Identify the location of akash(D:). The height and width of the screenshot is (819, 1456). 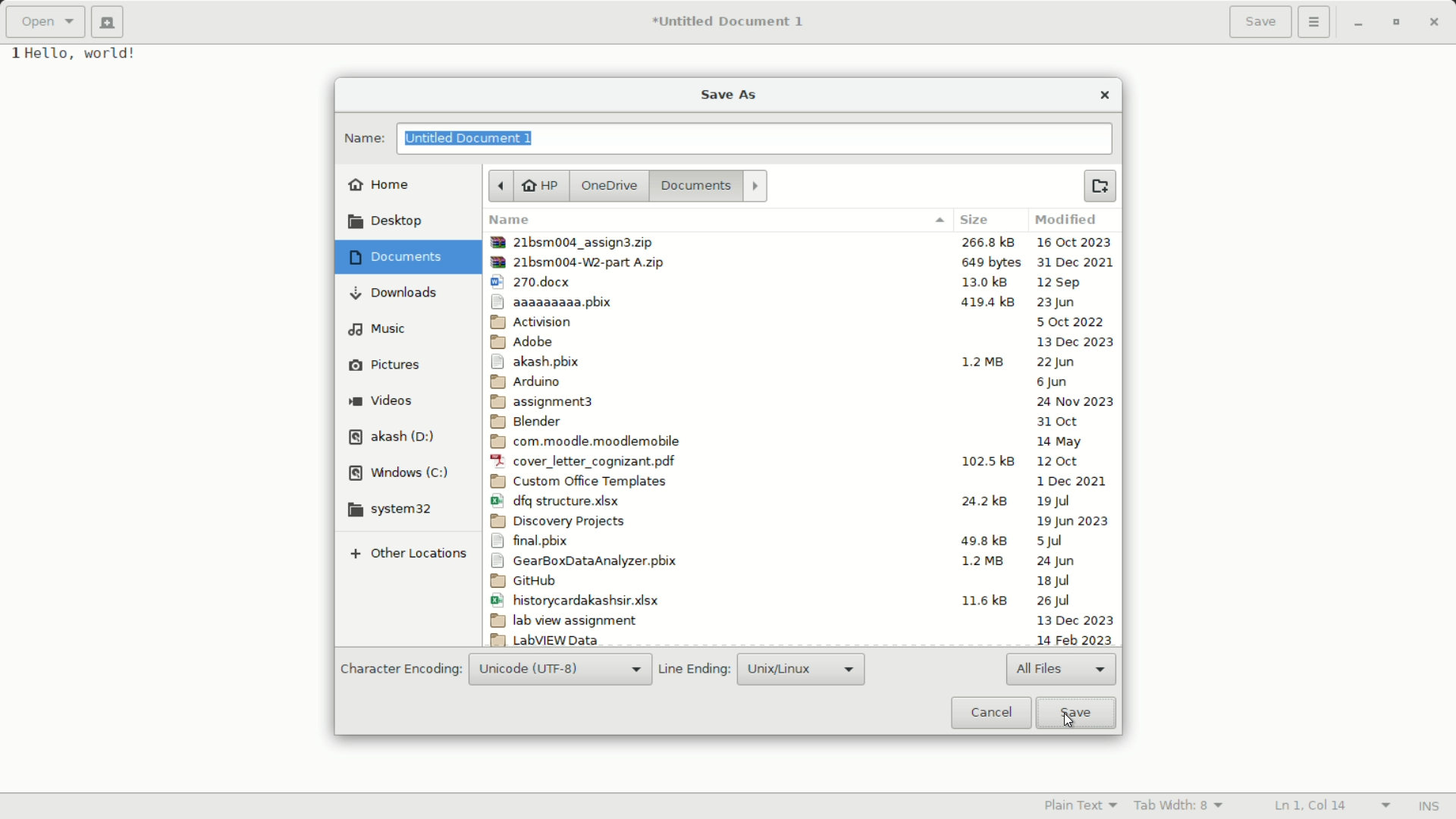
(394, 437).